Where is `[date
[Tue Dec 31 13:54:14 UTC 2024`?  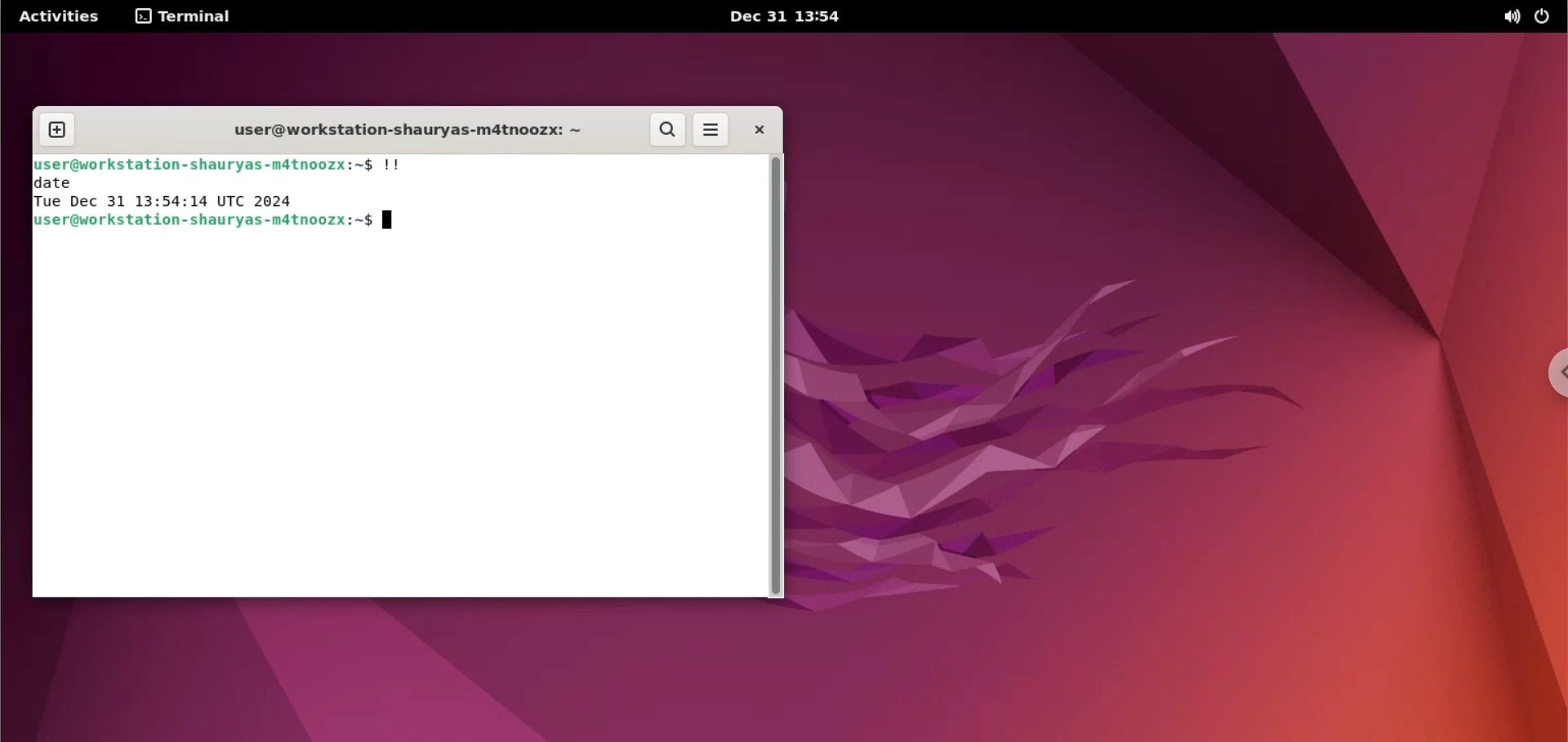
[date
[Tue Dec 31 13:54:14 UTC 2024 is located at coordinates (184, 194).